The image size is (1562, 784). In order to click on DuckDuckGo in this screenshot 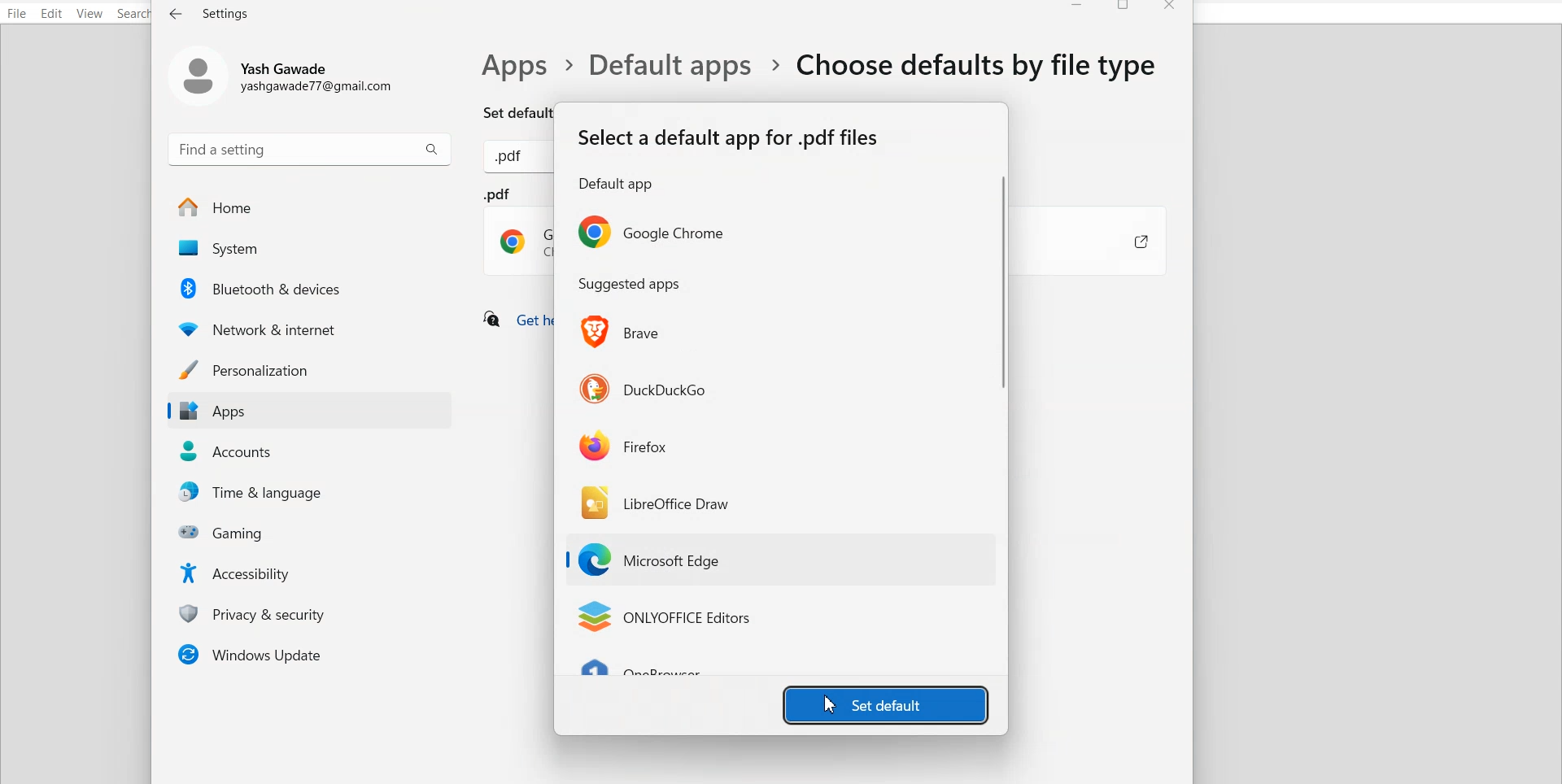, I will do `click(644, 386)`.